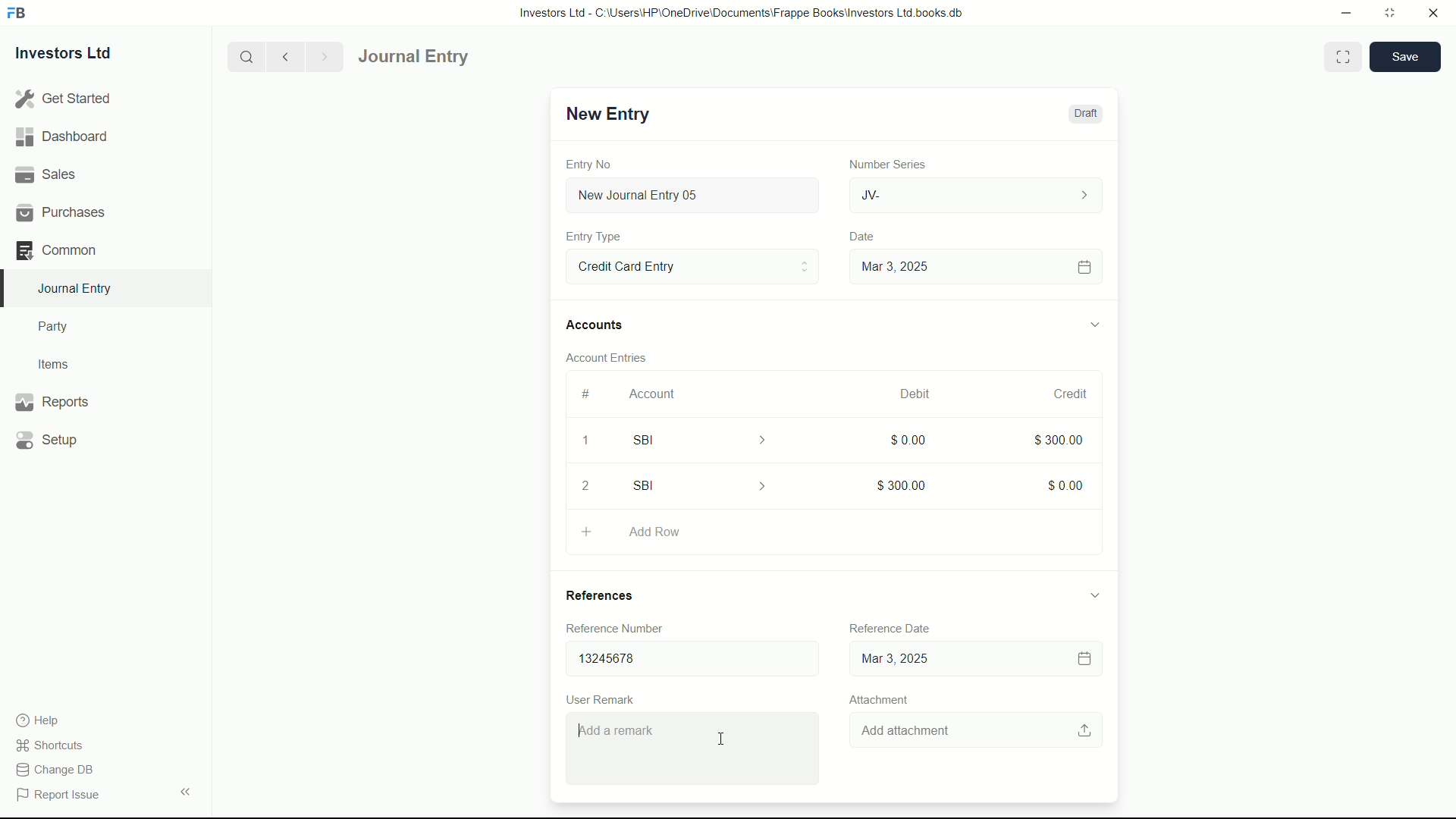 The width and height of the screenshot is (1456, 819). What do you see at coordinates (833, 529) in the screenshot?
I see `Add Row` at bounding box center [833, 529].